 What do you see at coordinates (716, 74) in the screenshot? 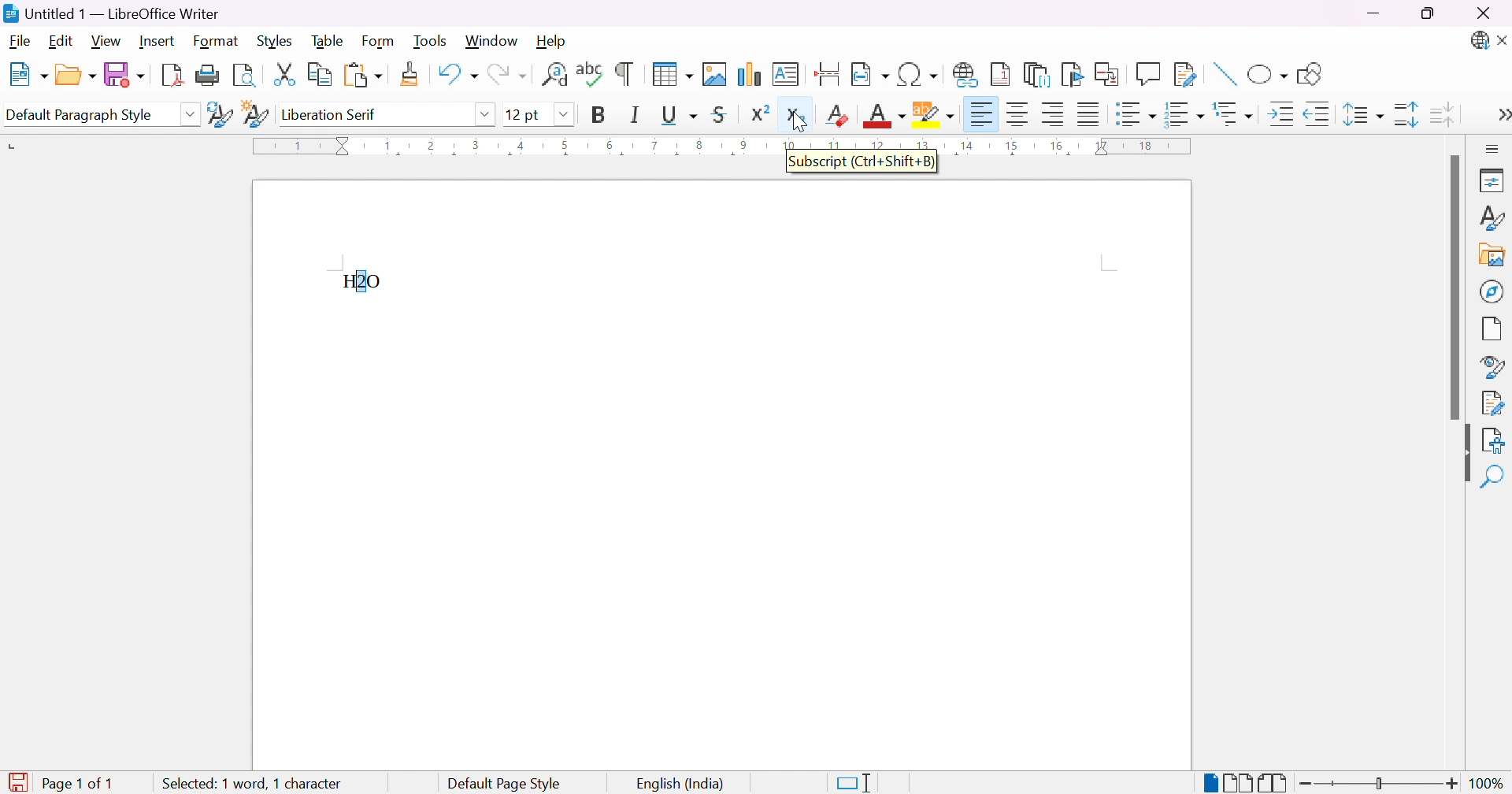
I see `Insert image` at bounding box center [716, 74].